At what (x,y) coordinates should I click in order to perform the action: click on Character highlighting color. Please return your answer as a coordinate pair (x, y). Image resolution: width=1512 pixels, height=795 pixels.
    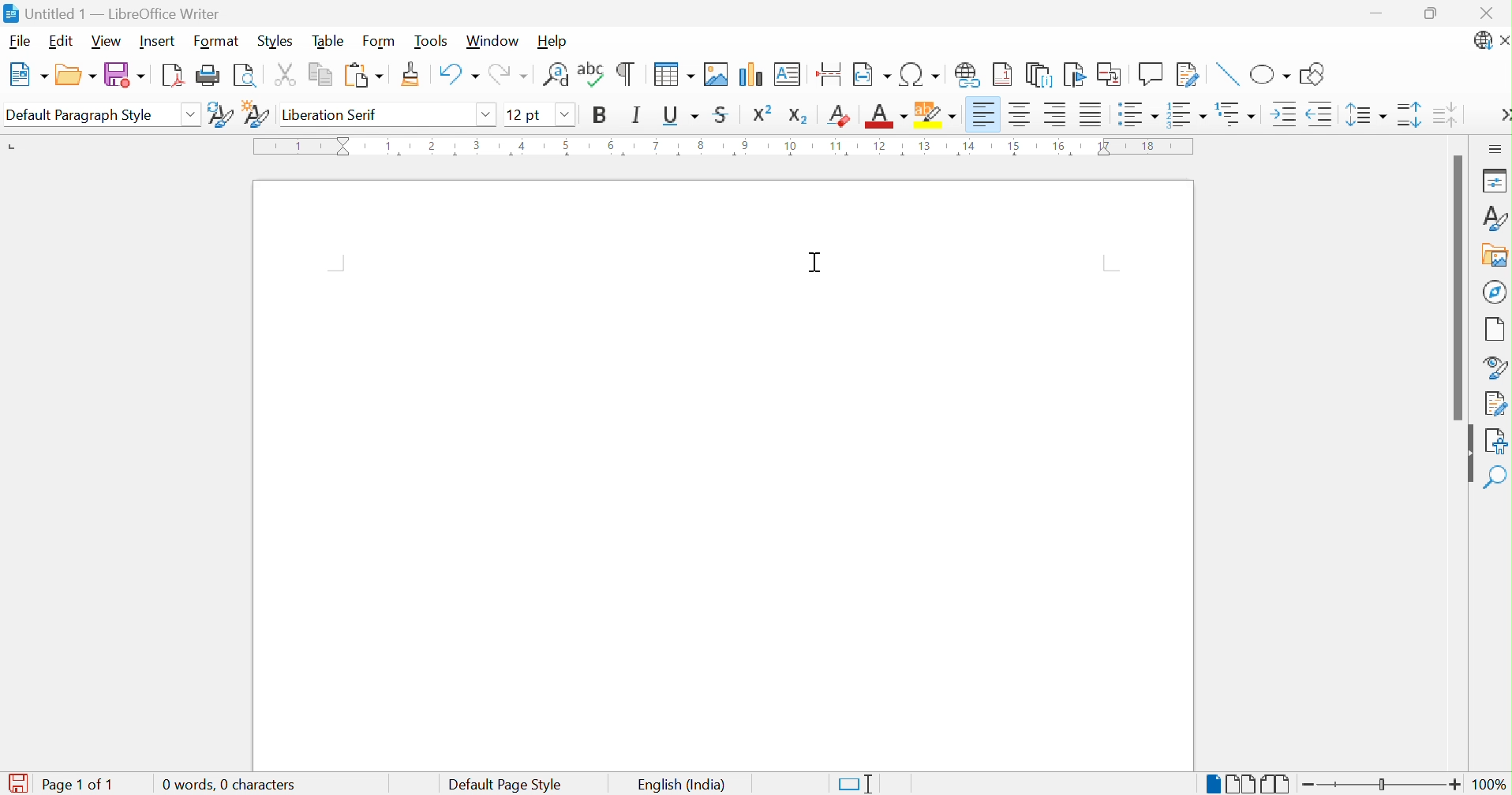
    Looking at the image, I should click on (937, 114).